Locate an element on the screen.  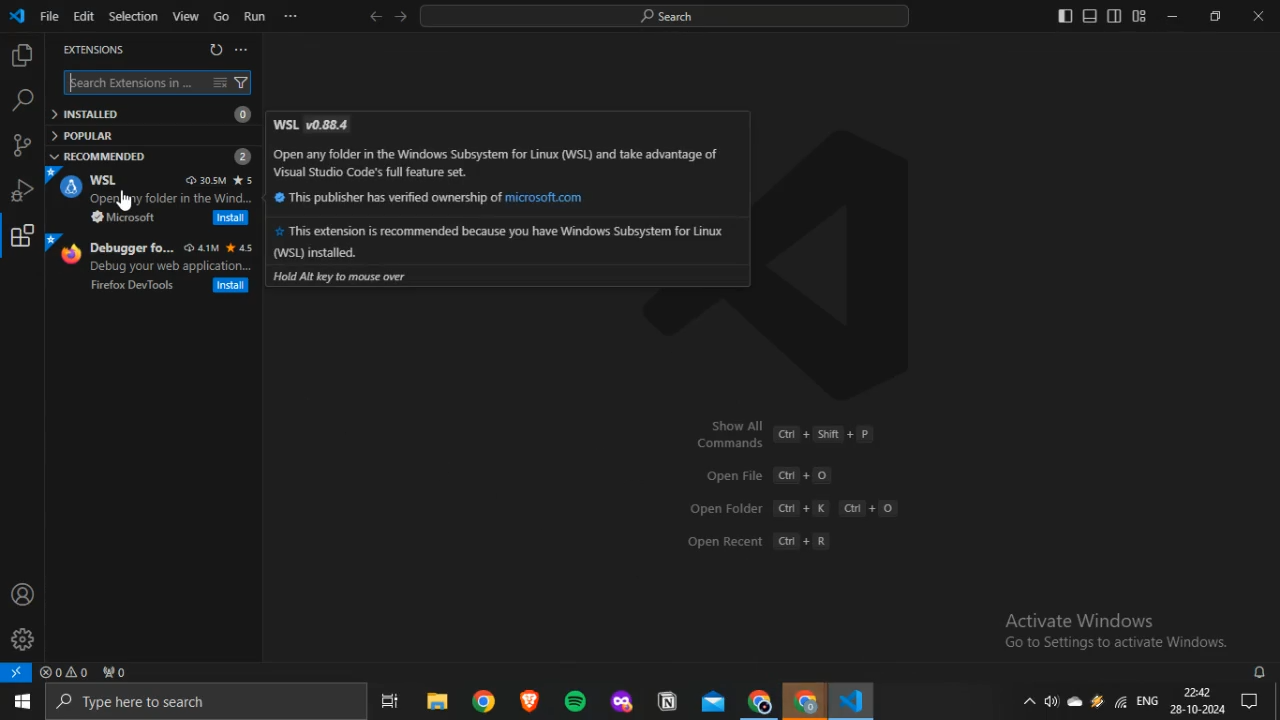
search is located at coordinates (22, 101).